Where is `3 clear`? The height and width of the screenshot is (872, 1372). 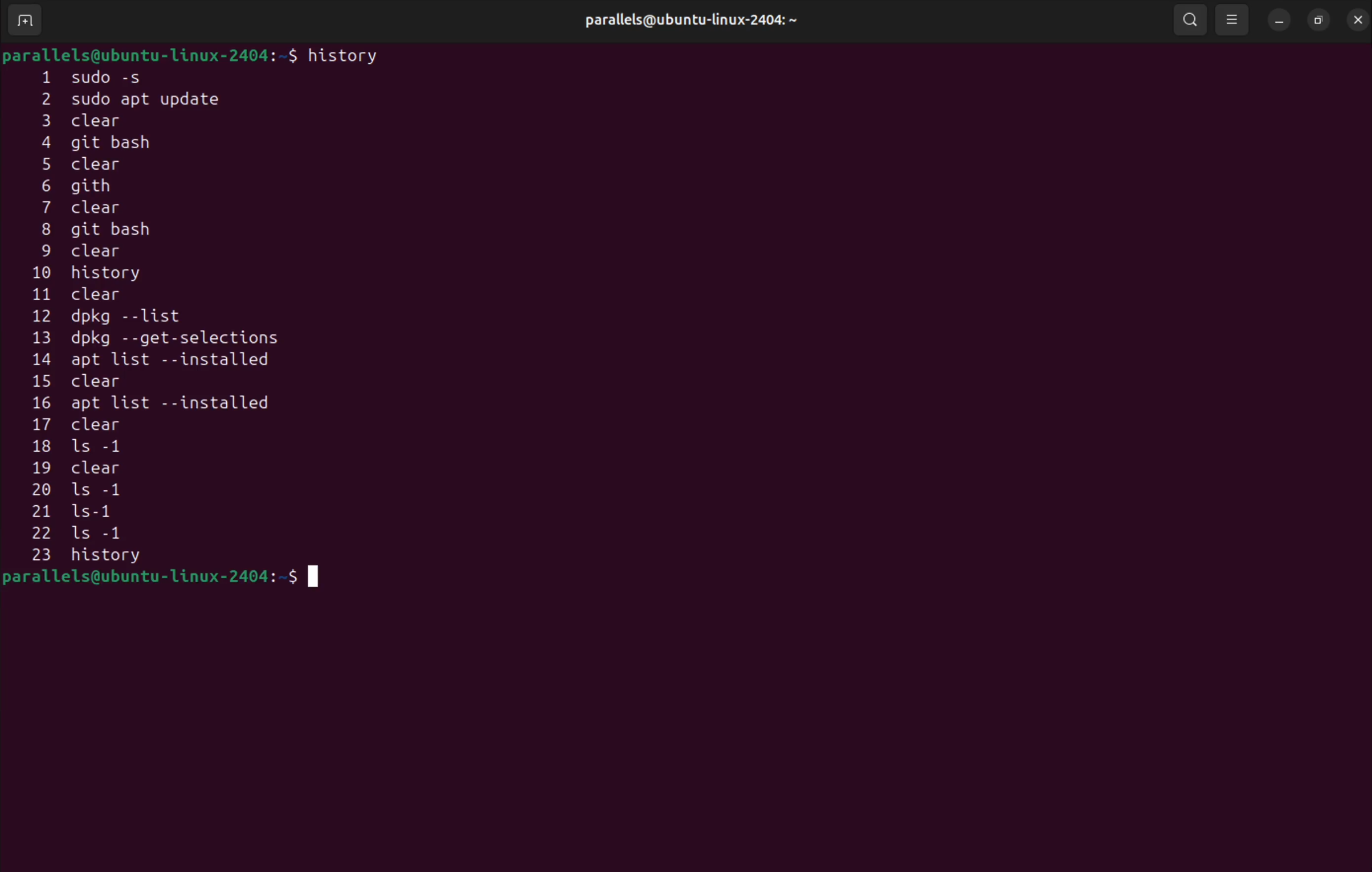 3 clear is located at coordinates (109, 120).